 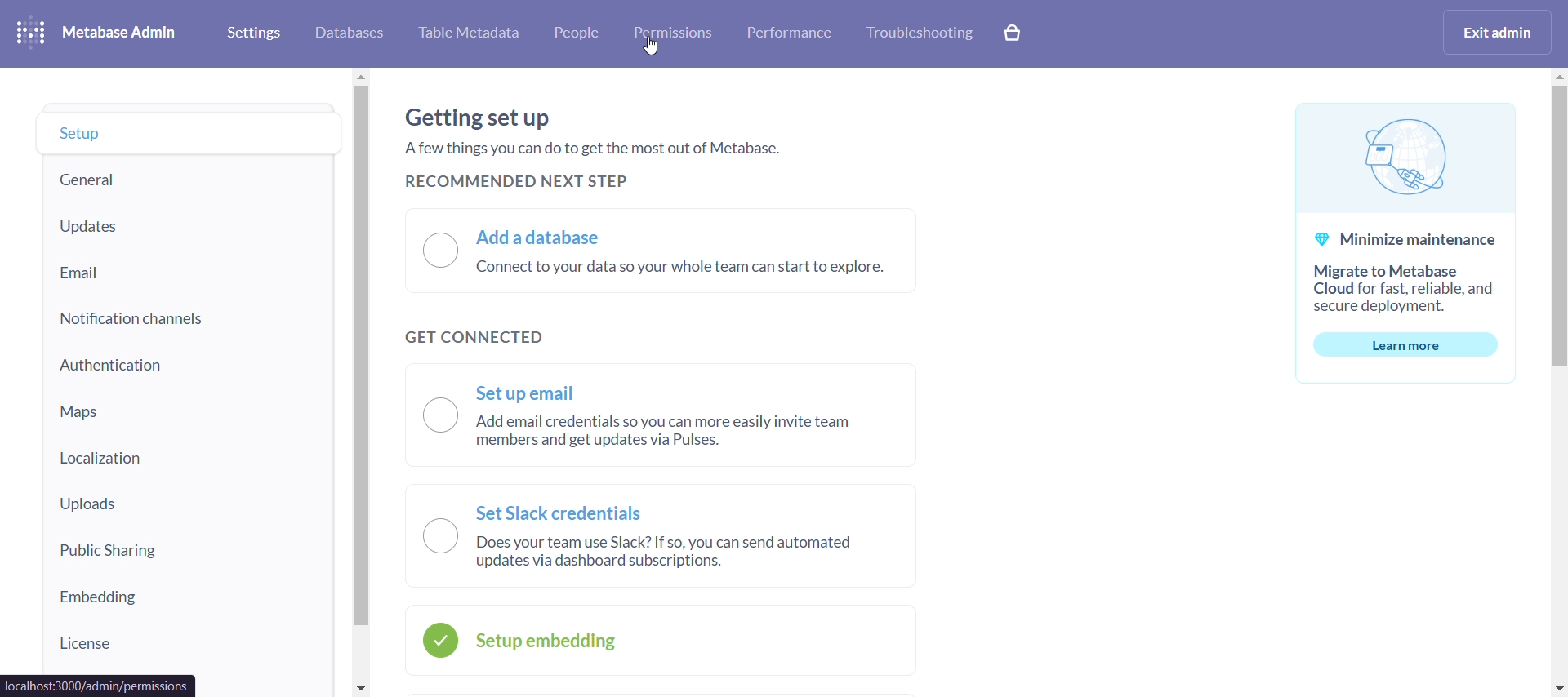 I want to click on license, so click(x=189, y=651).